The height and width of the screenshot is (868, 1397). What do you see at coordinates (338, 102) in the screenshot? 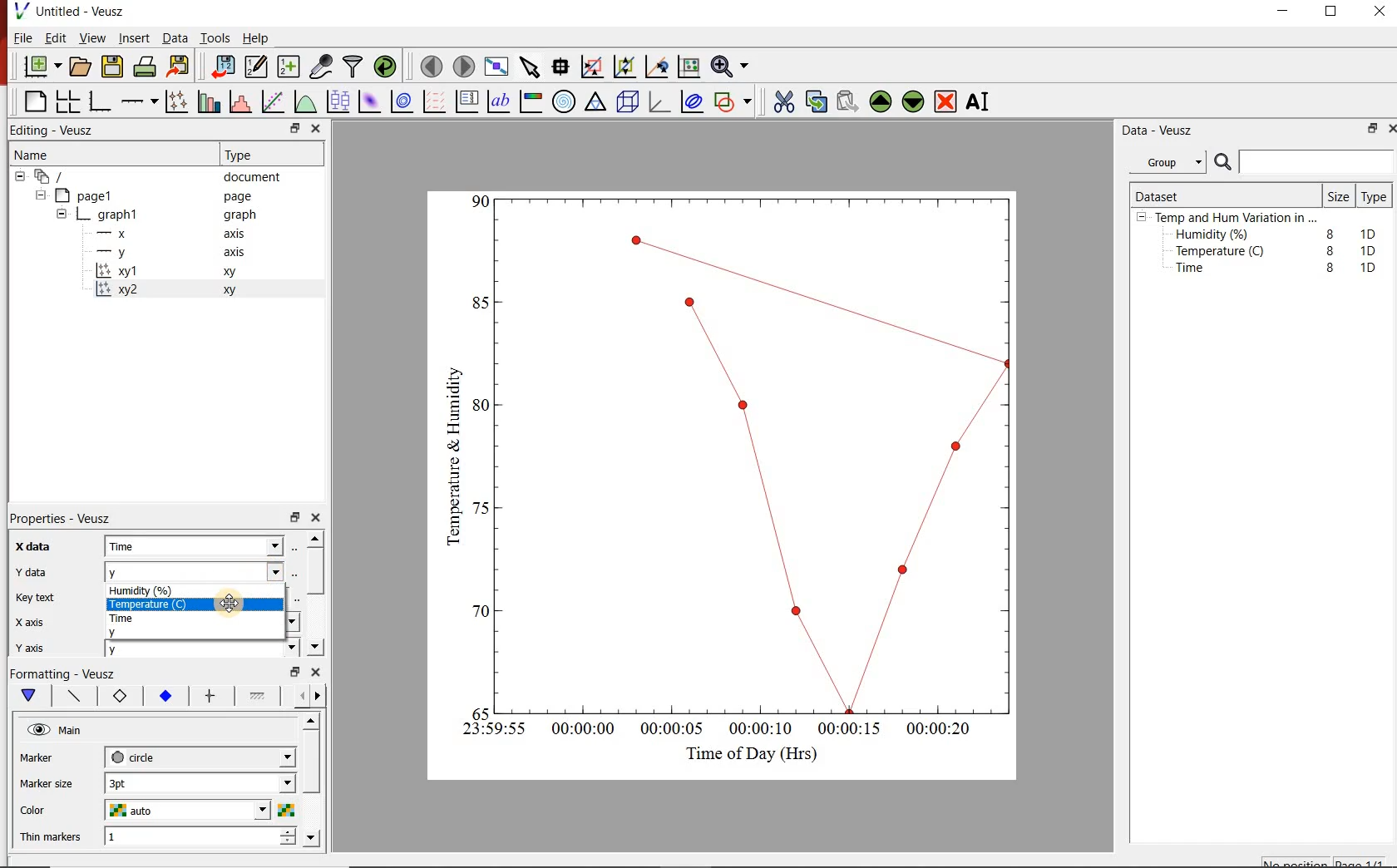
I see `plot box plots` at bounding box center [338, 102].